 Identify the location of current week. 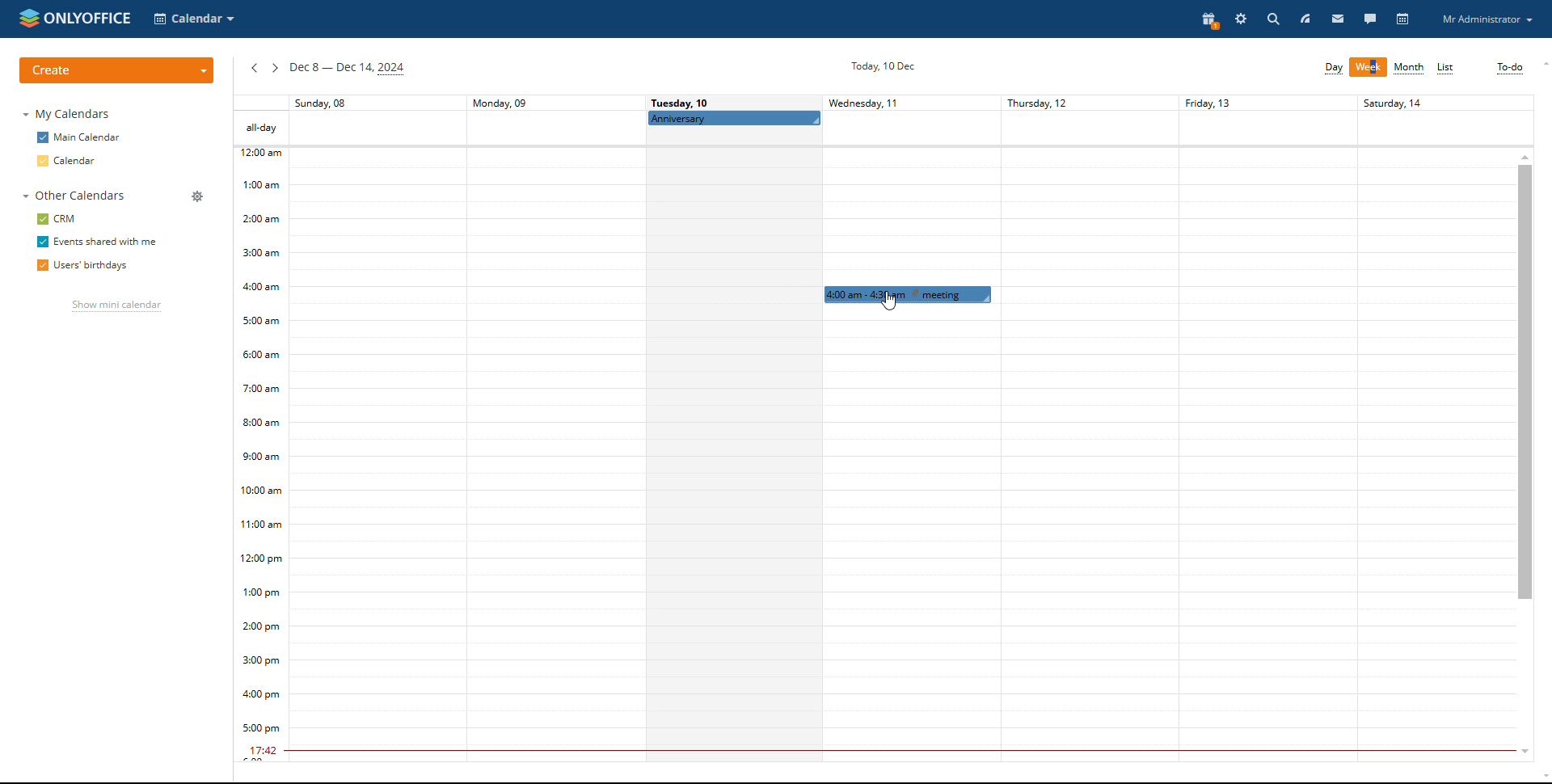
(347, 70).